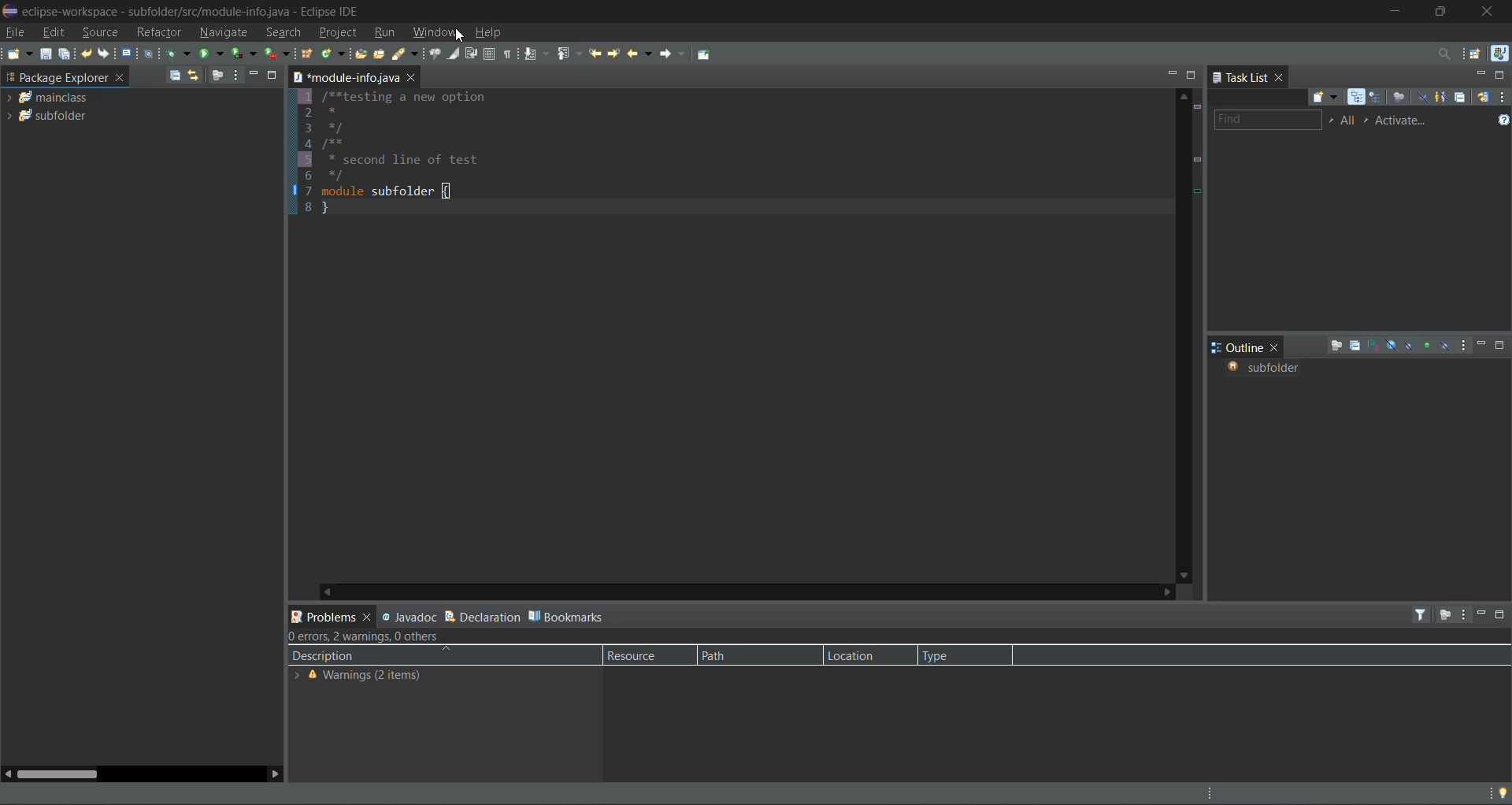 The height and width of the screenshot is (805, 1512). What do you see at coordinates (274, 76) in the screenshot?
I see `maximize` at bounding box center [274, 76].